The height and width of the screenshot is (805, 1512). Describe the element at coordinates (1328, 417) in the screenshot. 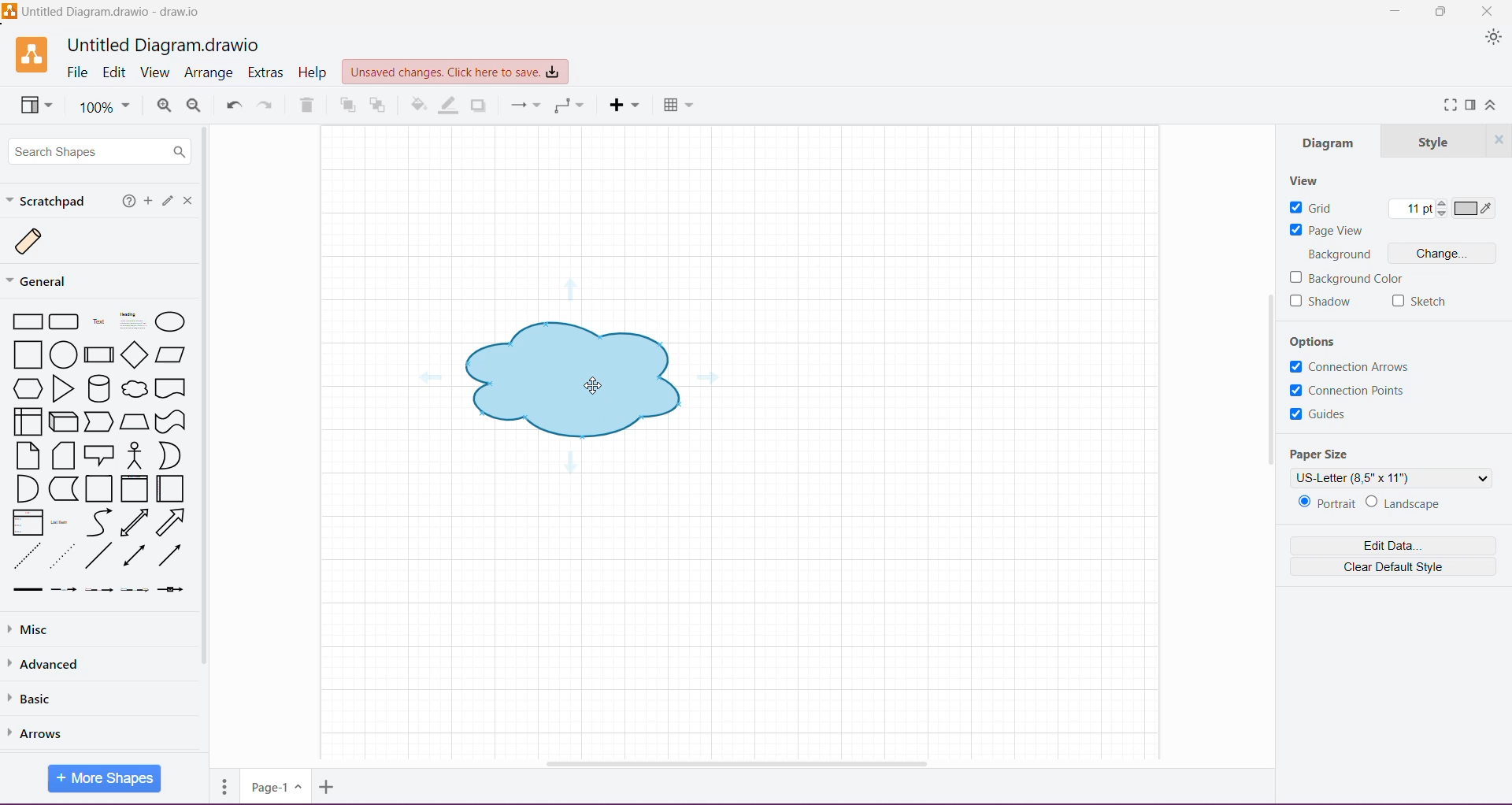

I see `Guides` at that location.